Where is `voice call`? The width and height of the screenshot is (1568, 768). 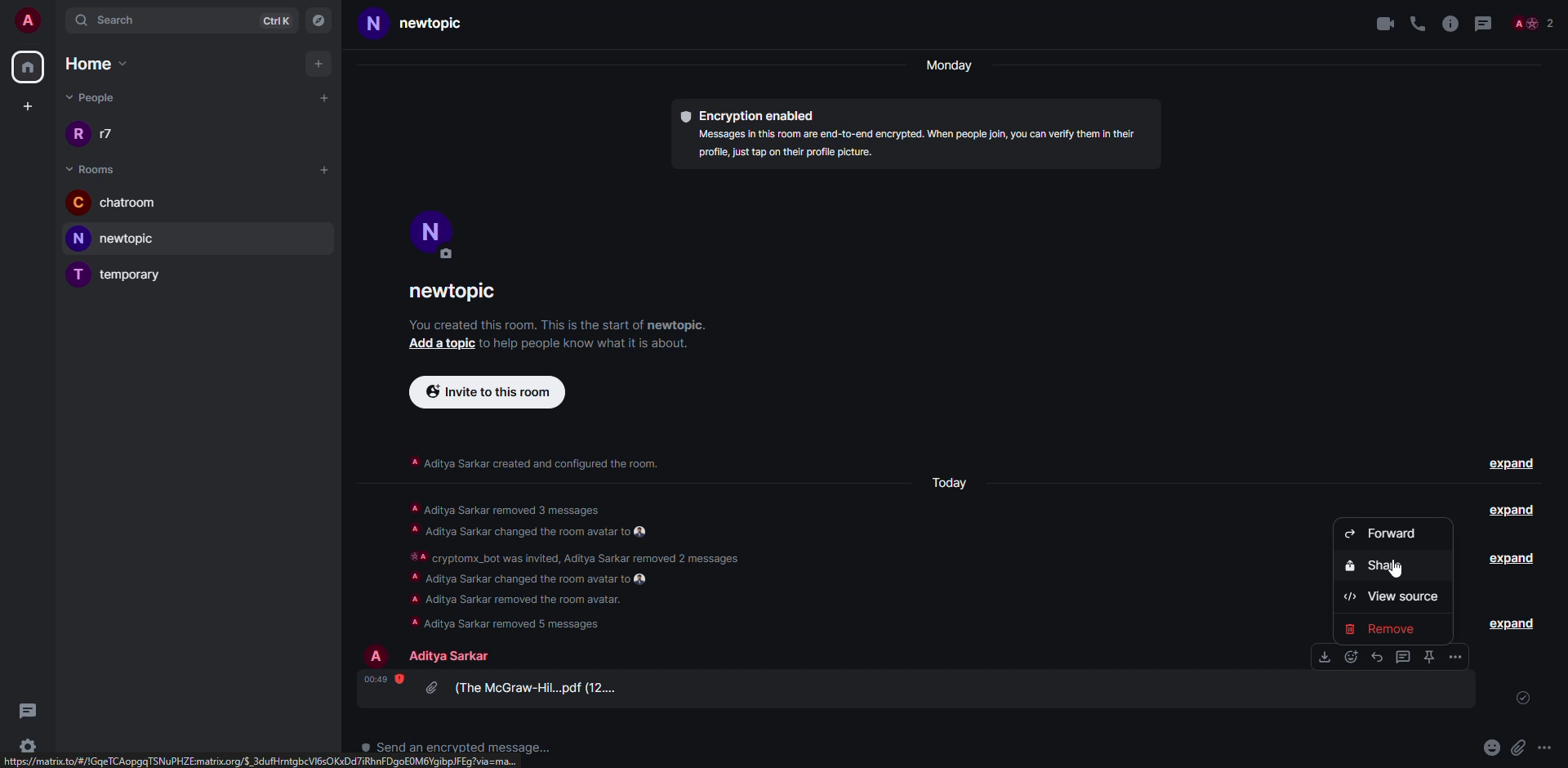
voice call is located at coordinates (1418, 23).